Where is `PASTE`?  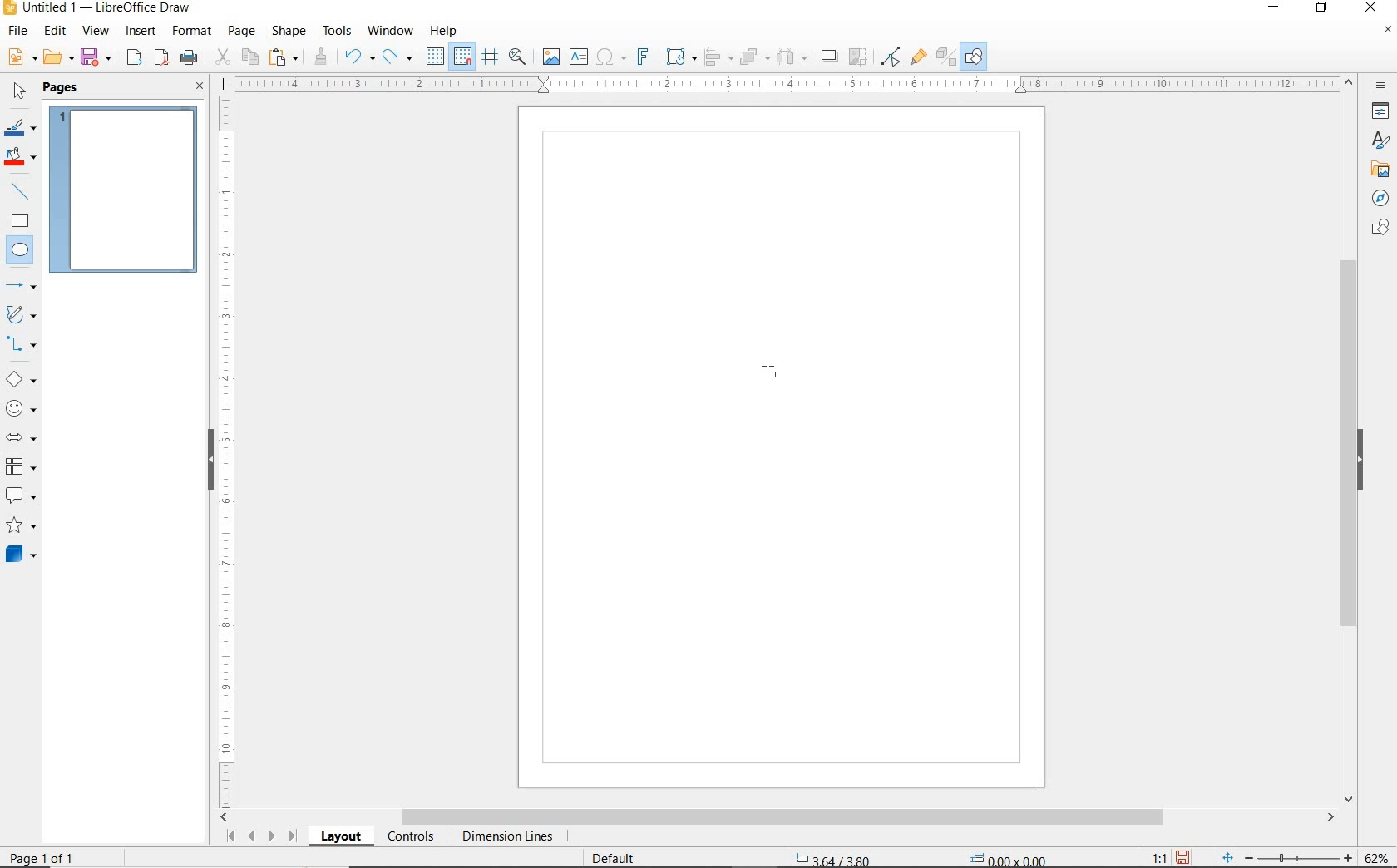 PASTE is located at coordinates (285, 57).